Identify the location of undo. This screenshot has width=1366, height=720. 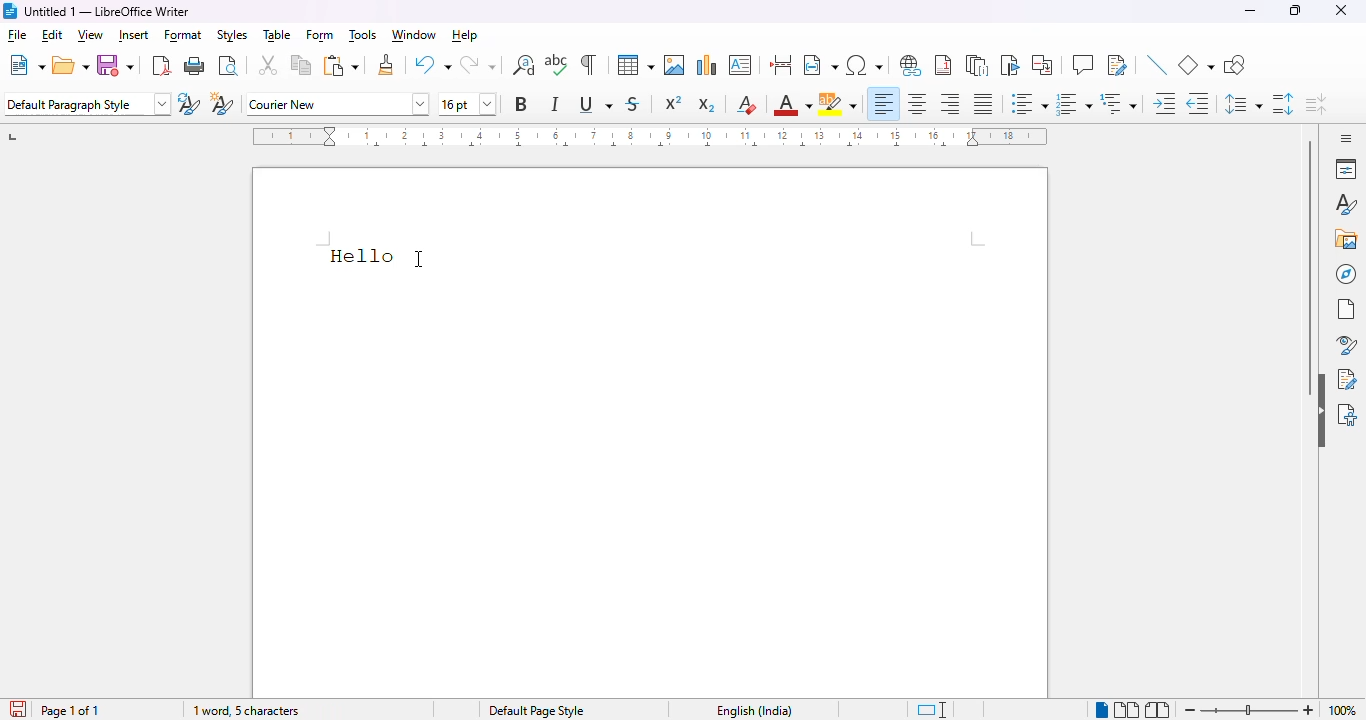
(432, 64).